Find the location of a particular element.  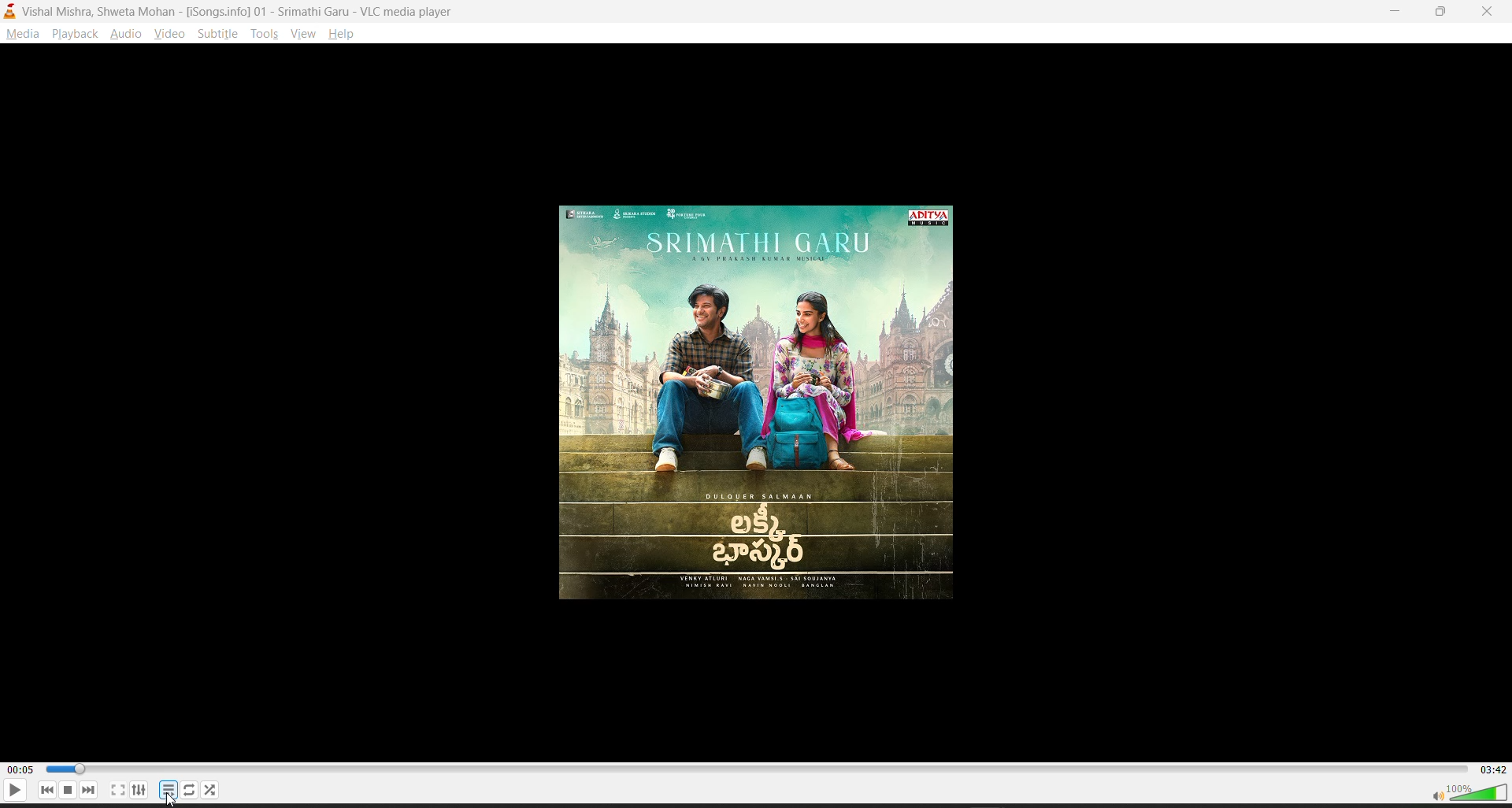

fullscreen is located at coordinates (117, 790).